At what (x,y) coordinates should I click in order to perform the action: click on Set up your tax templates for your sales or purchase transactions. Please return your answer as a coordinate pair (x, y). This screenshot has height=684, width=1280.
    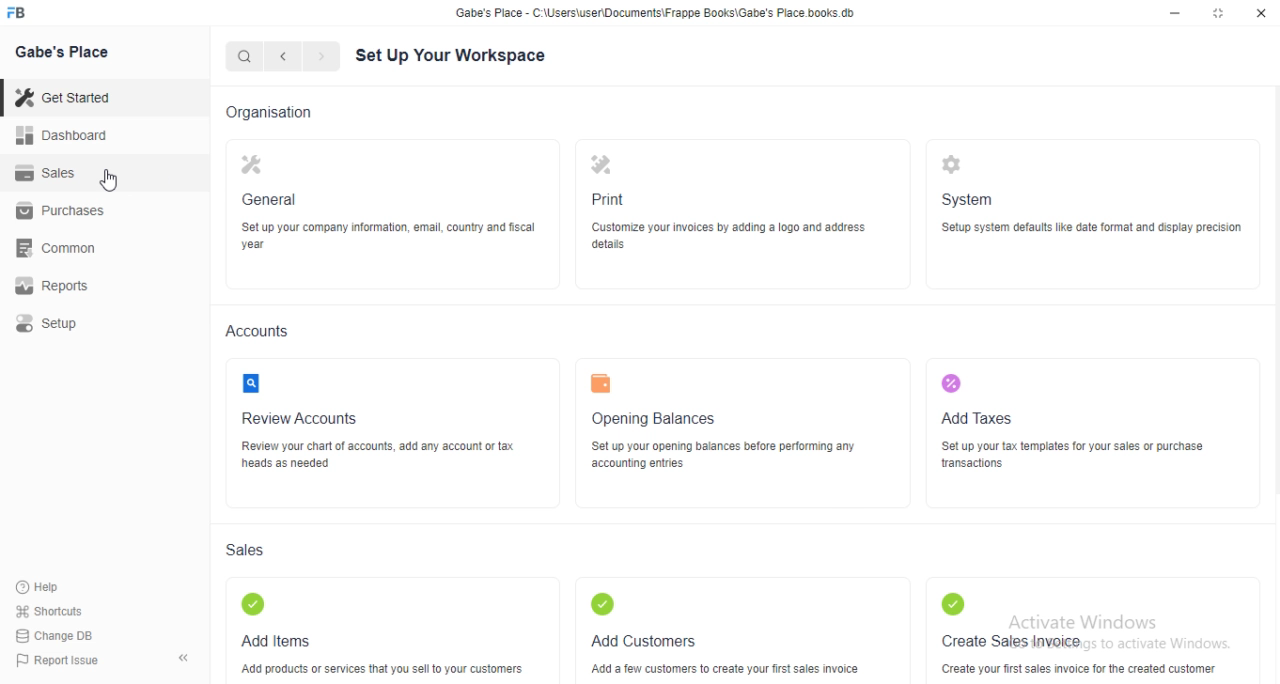
    Looking at the image, I should click on (1072, 454).